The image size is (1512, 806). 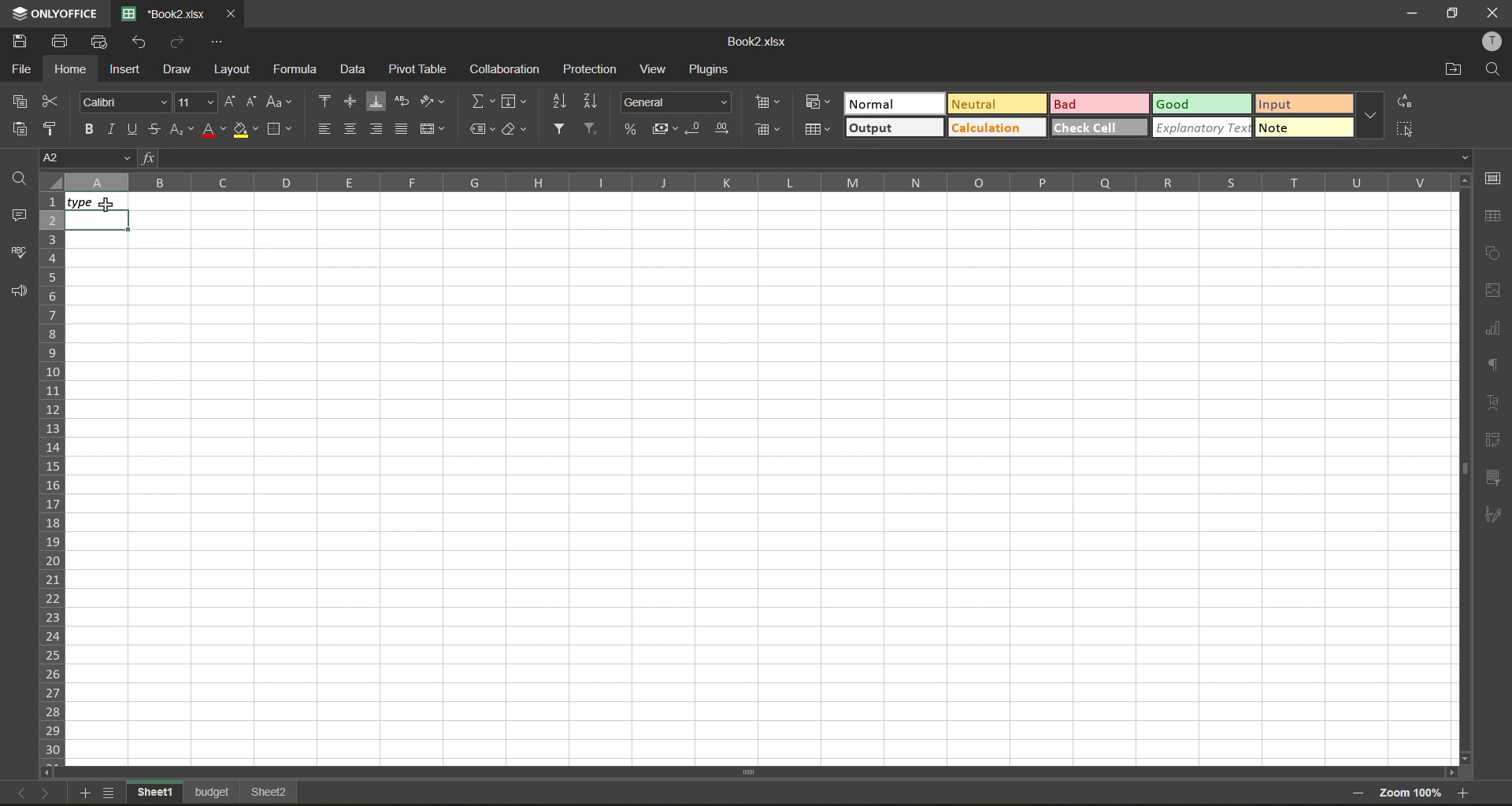 What do you see at coordinates (280, 101) in the screenshot?
I see `change case` at bounding box center [280, 101].